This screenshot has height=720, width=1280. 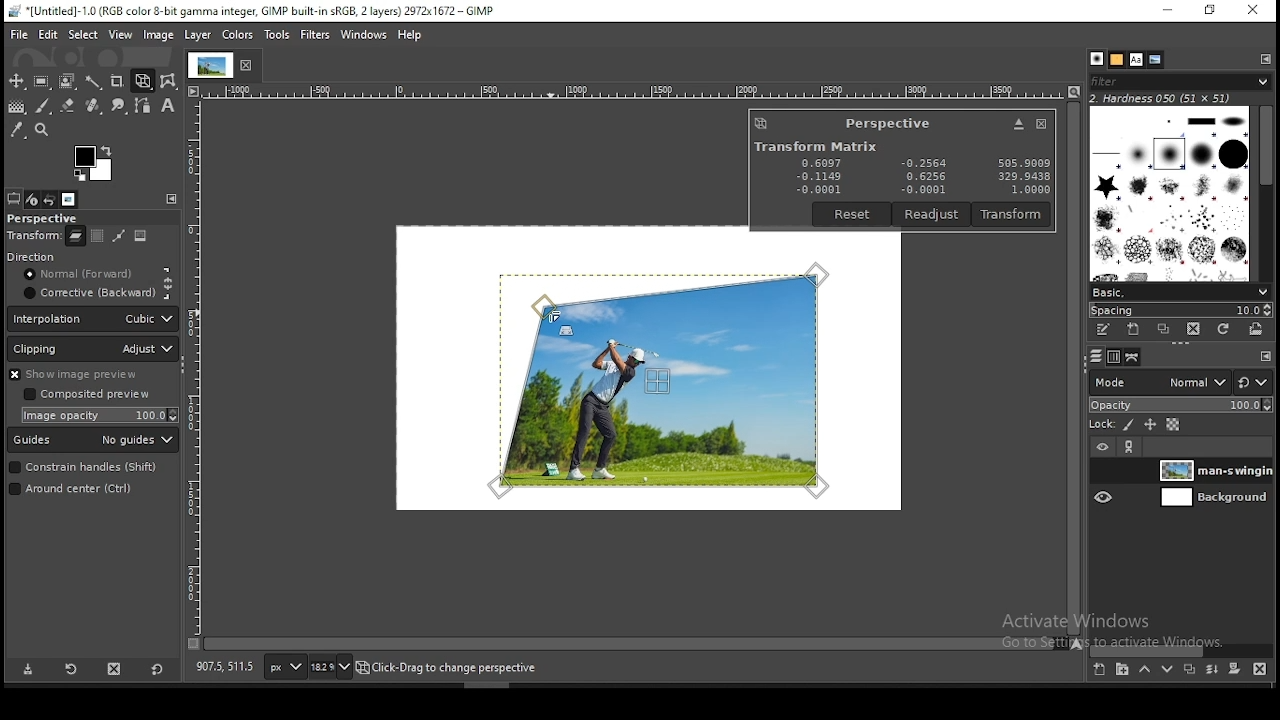 What do you see at coordinates (1119, 670) in the screenshot?
I see `new layer group` at bounding box center [1119, 670].